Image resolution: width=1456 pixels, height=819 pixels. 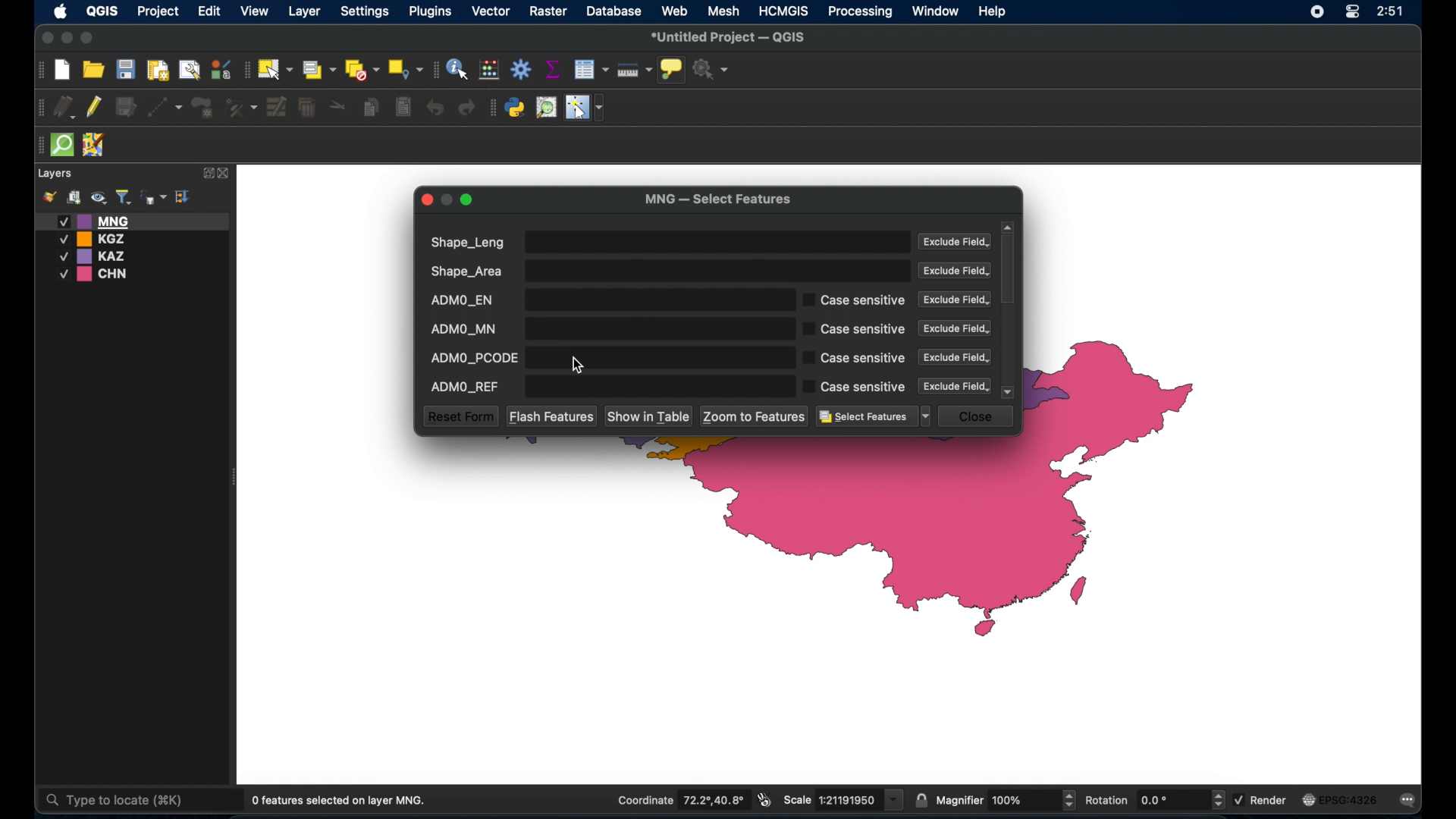 I want to click on scroll up arrow, so click(x=1008, y=227).